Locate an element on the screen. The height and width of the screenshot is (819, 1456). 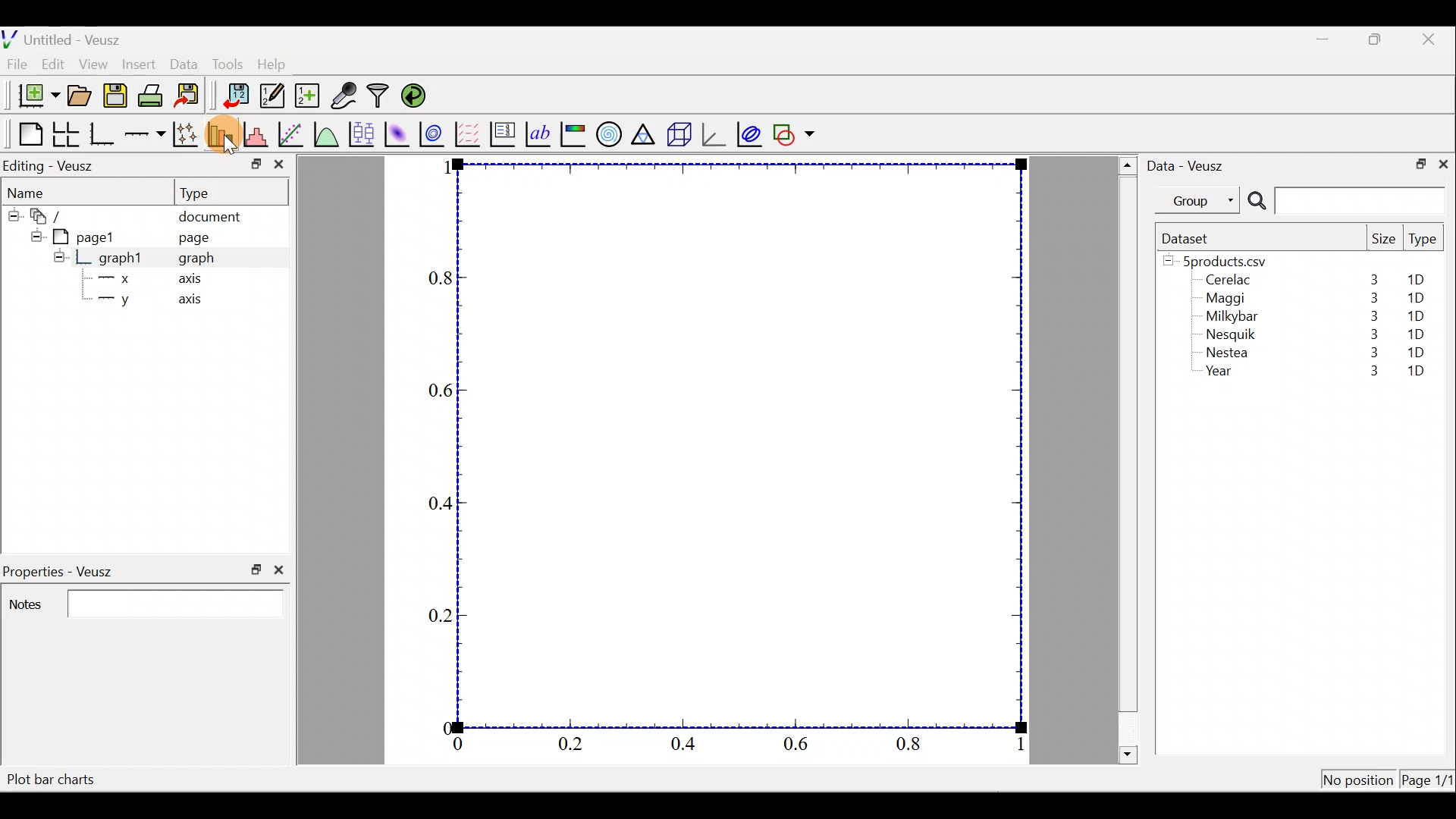
Help is located at coordinates (281, 64).